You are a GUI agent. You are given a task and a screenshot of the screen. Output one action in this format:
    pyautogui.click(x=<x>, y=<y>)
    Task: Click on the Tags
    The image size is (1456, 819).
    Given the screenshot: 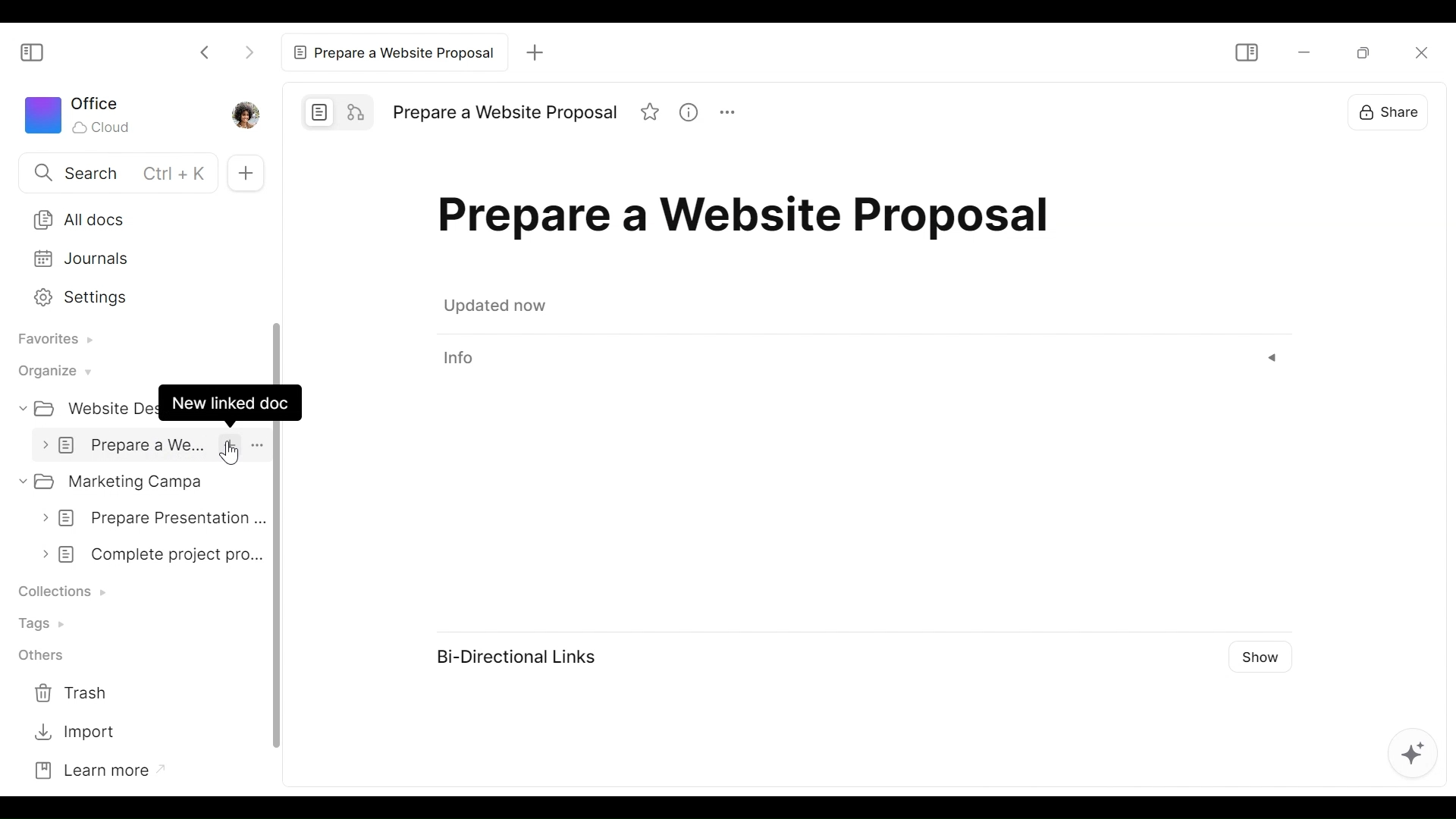 What is the action you would take?
    pyautogui.click(x=40, y=626)
    